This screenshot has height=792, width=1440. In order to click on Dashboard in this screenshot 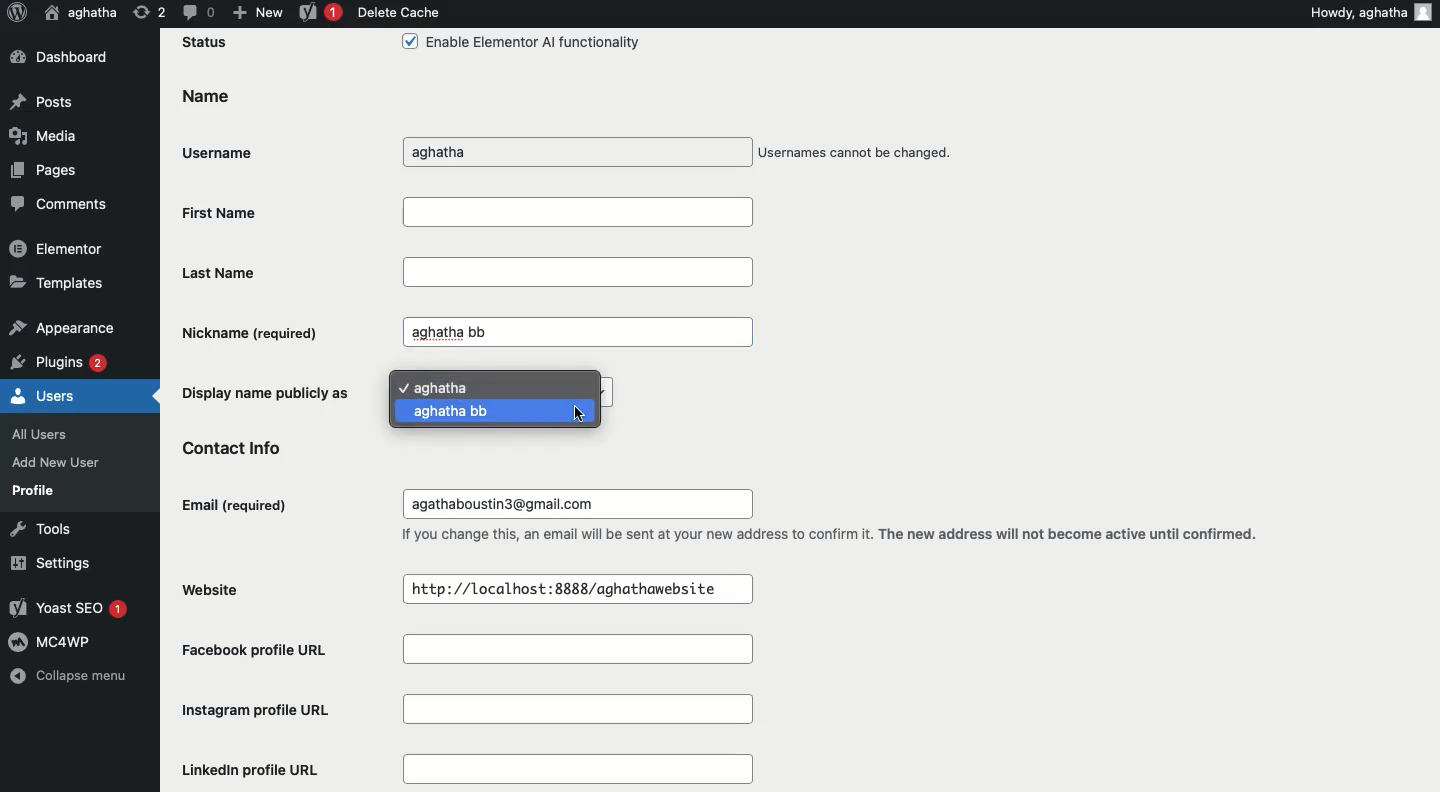, I will do `click(68, 58)`.